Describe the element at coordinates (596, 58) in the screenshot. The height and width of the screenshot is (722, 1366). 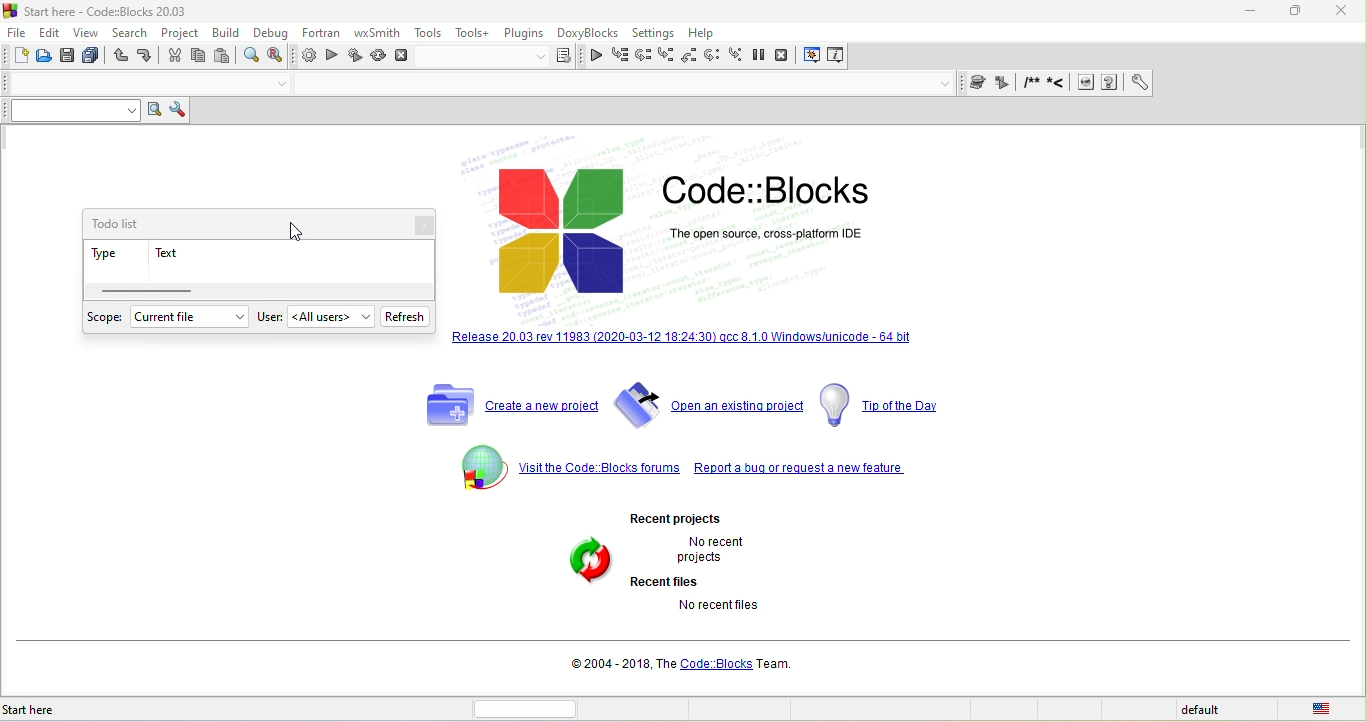
I see `continue` at that location.